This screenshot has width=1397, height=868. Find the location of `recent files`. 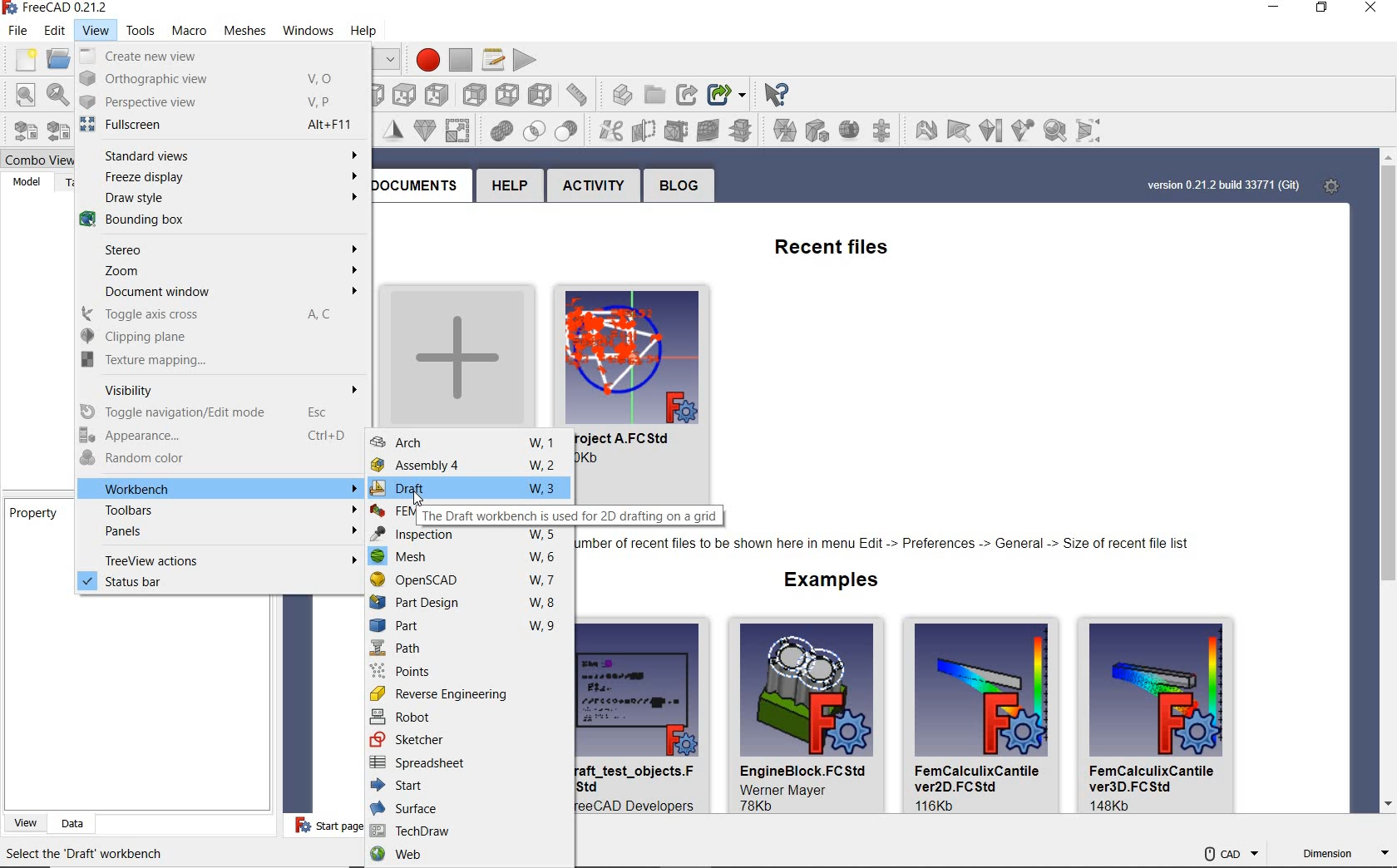

recent files is located at coordinates (816, 244).